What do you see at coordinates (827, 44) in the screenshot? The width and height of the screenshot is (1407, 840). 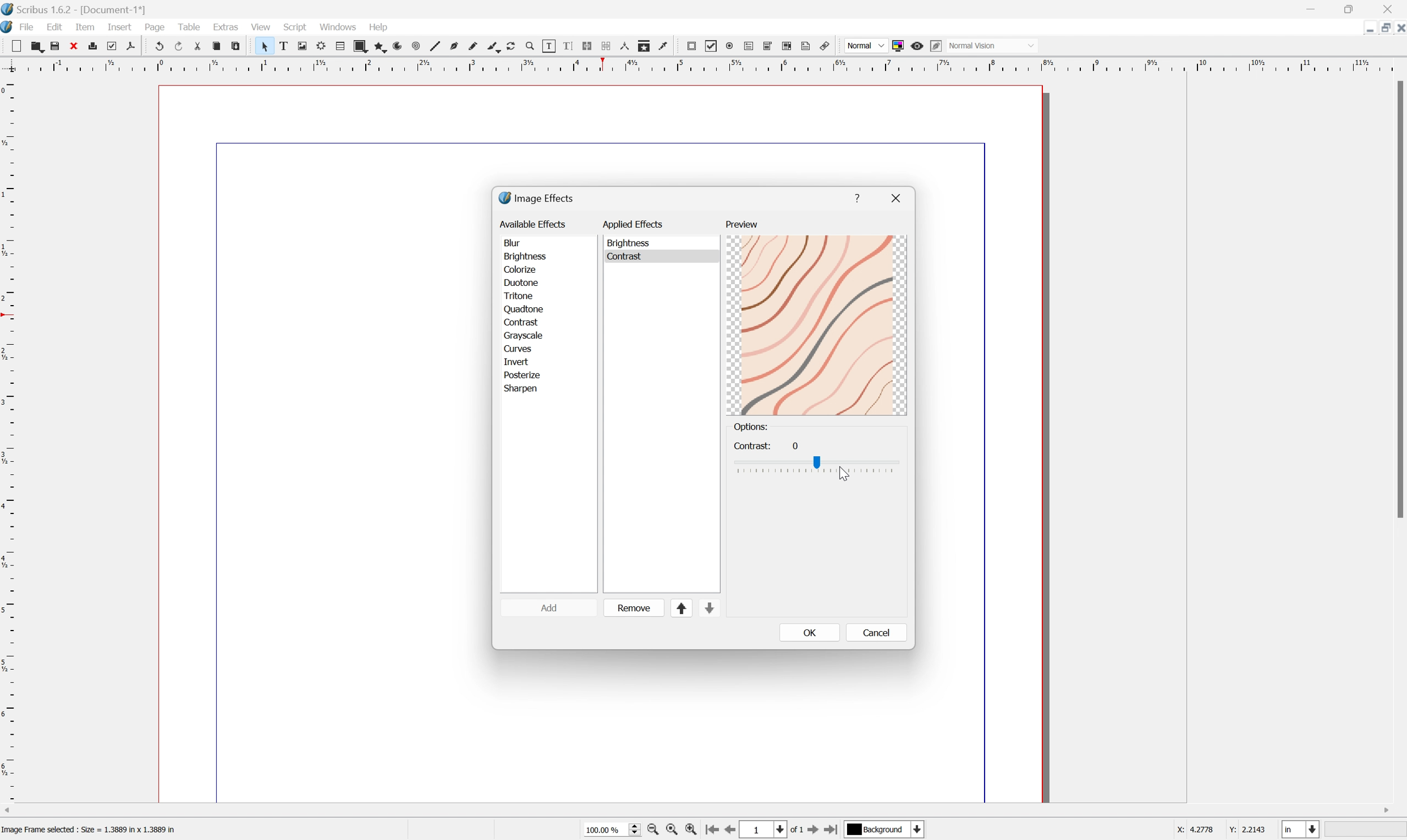 I see `Link annotation` at bounding box center [827, 44].